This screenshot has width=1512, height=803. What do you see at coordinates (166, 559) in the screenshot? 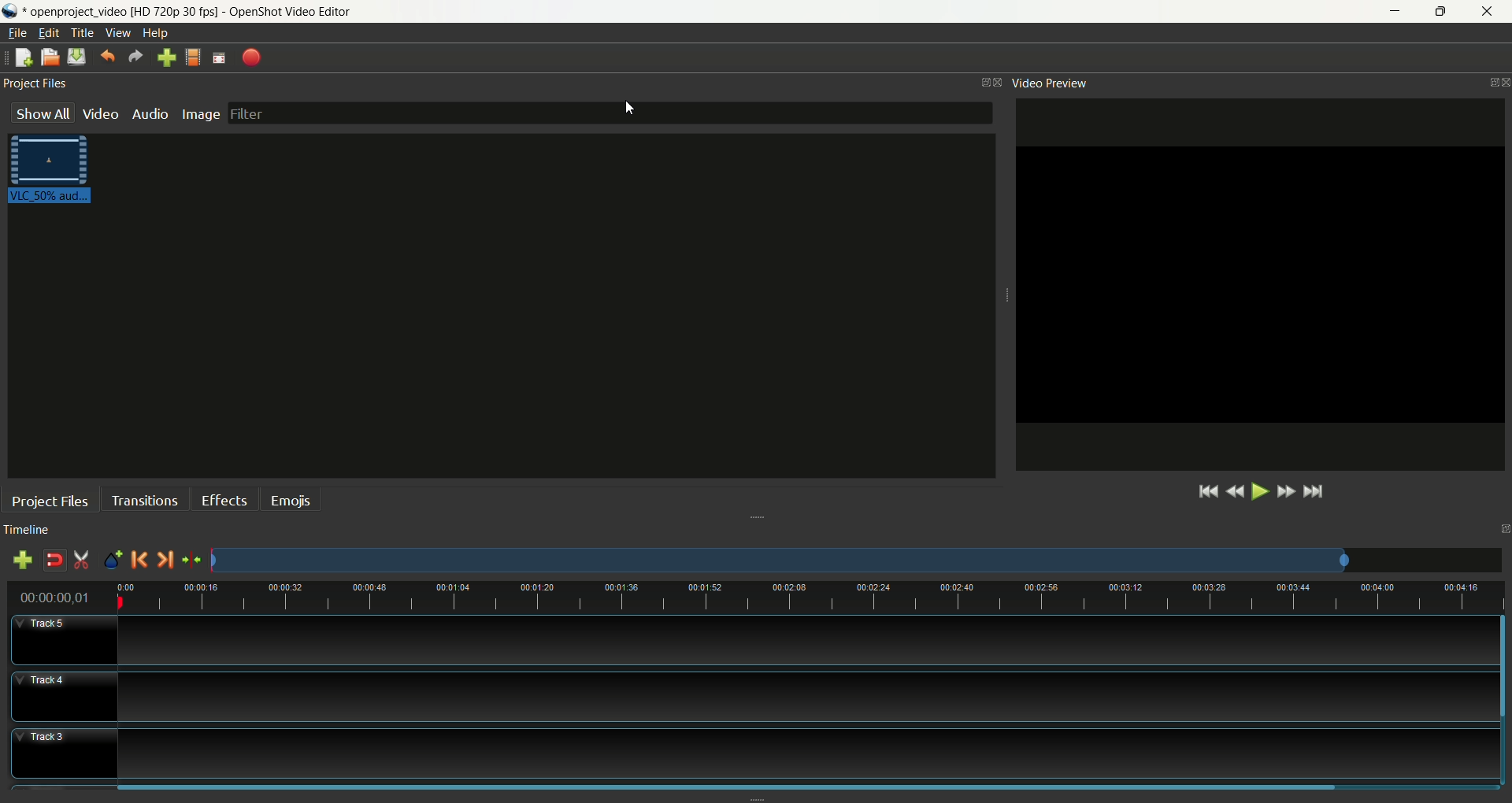
I see `next marker` at bounding box center [166, 559].